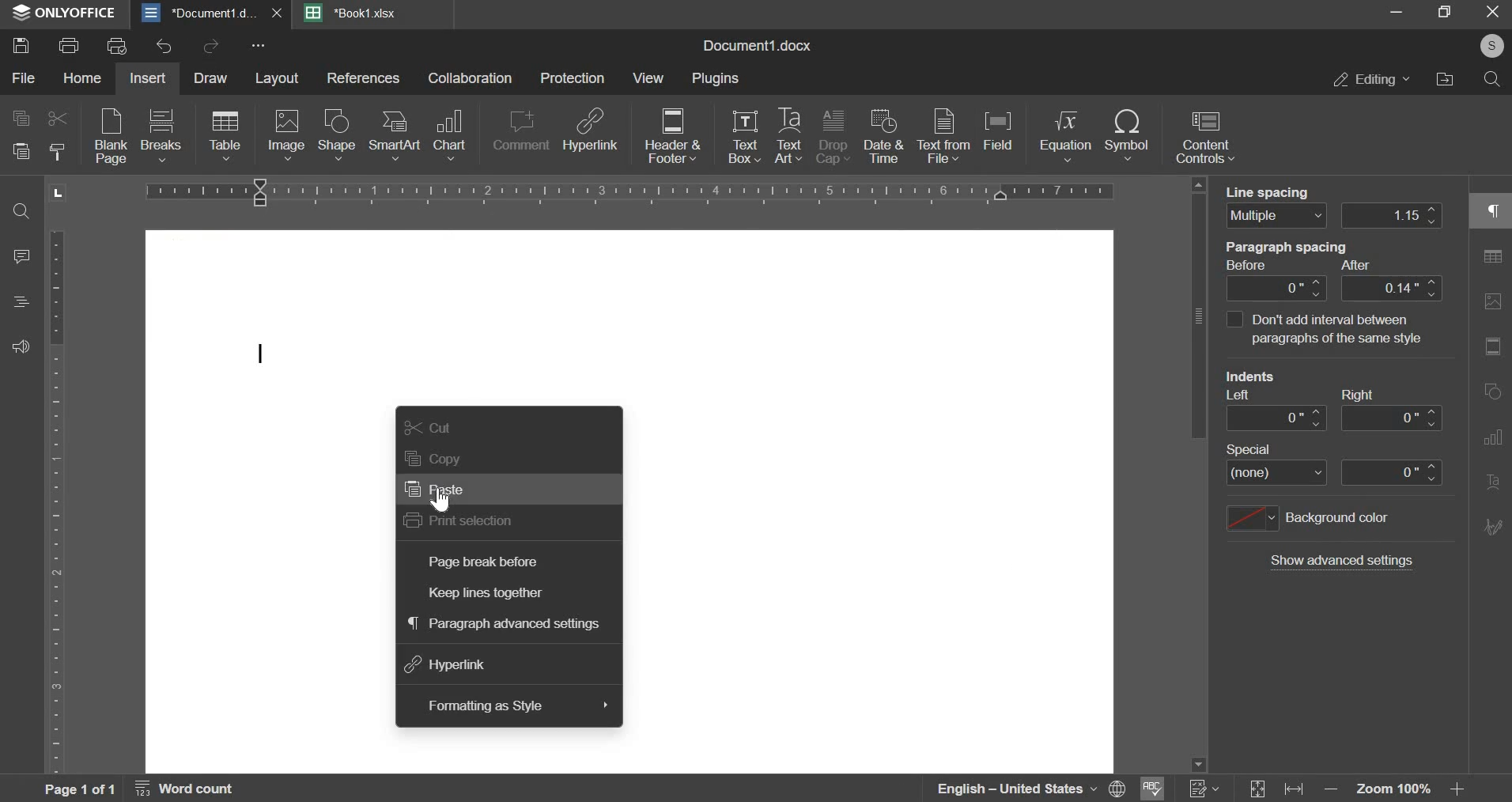  Describe the element at coordinates (1249, 449) in the screenshot. I see `special label` at that location.